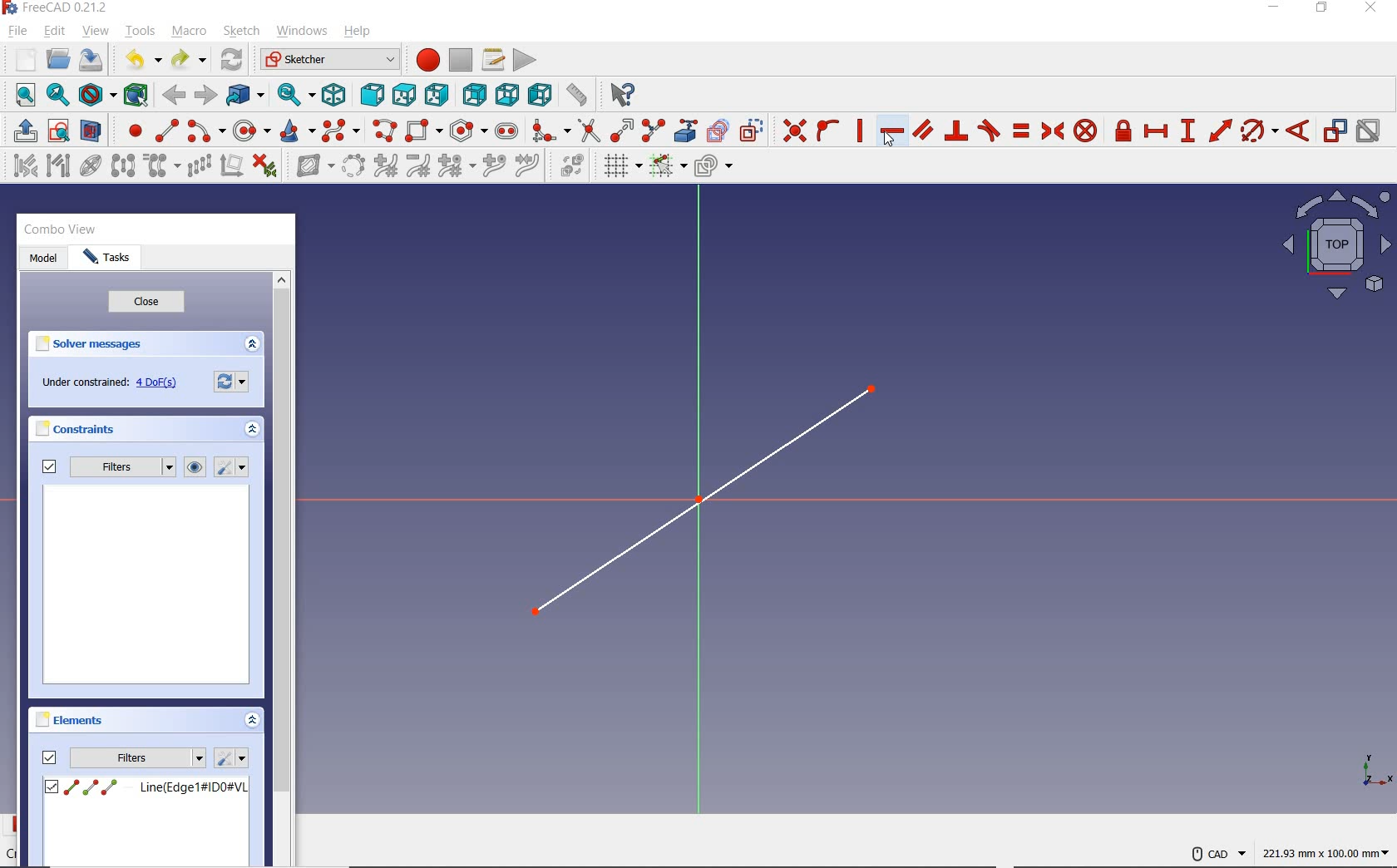 This screenshot has height=868, width=1397. I want to click on CONSTRAIN VERTICAL DISTANCE, so click(1187, 129).